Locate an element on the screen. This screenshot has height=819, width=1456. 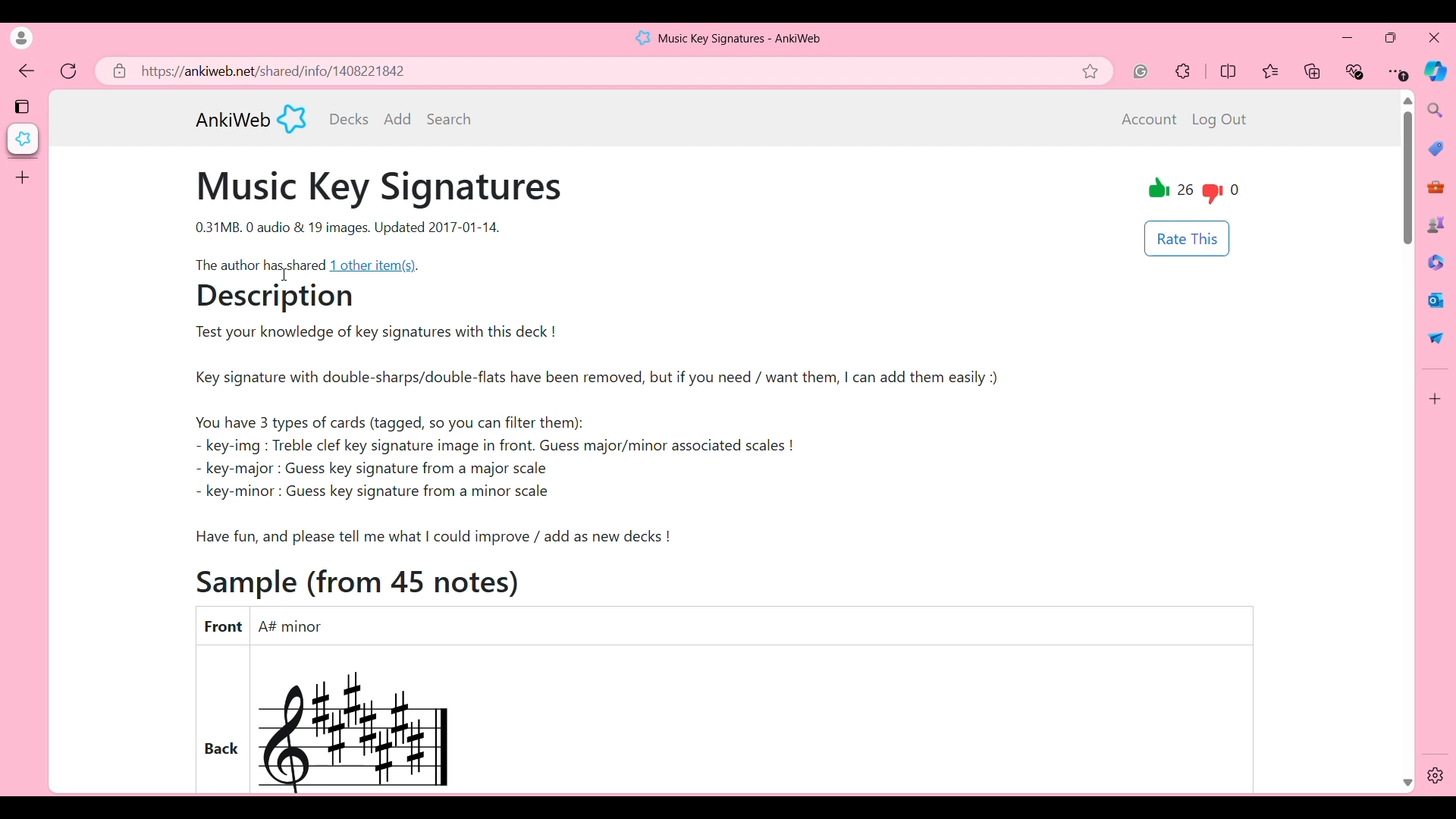
Games is located at coordinates (1437, 224).